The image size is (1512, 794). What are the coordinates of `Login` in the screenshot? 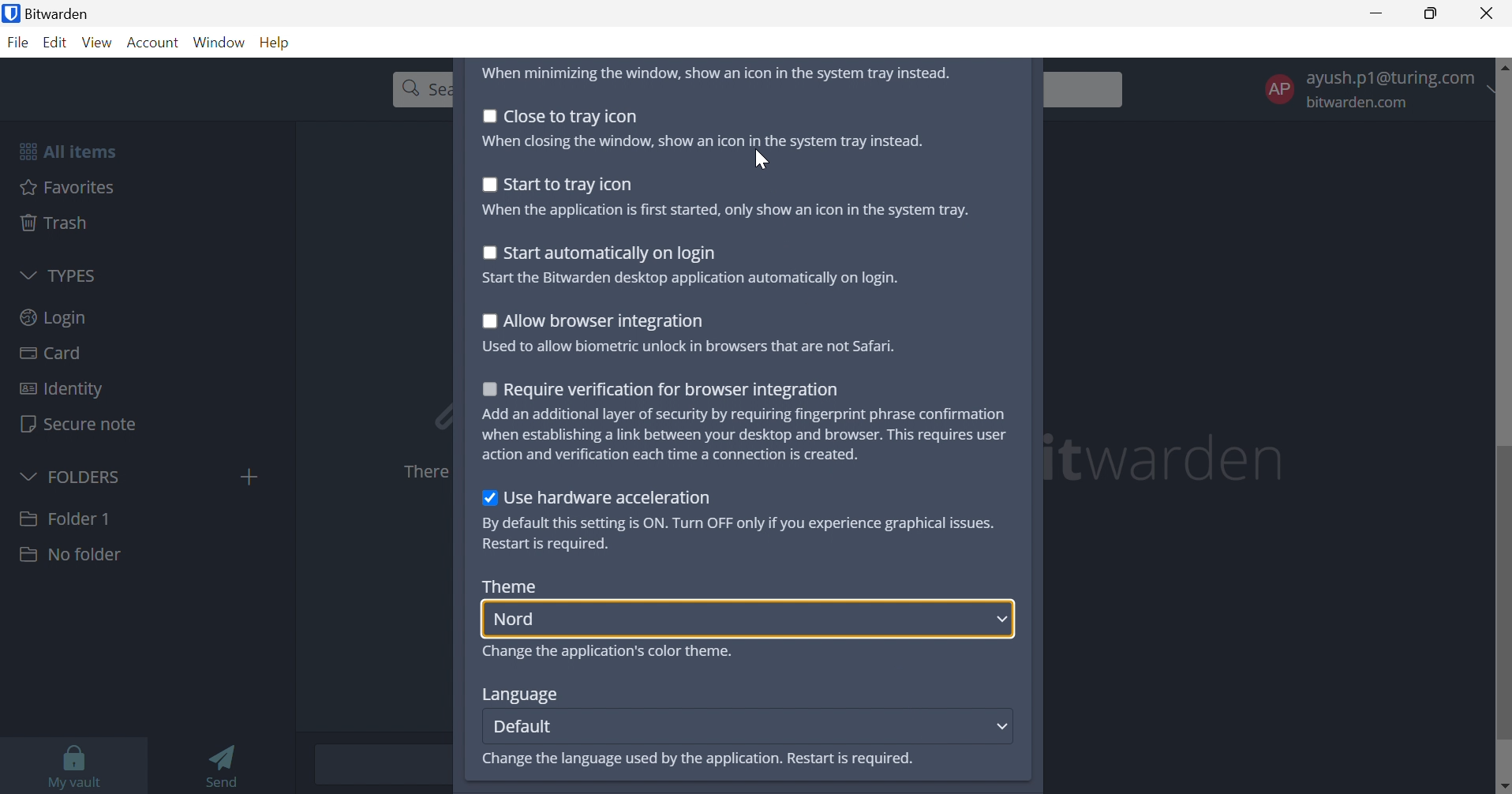 It's located at (54, 316).